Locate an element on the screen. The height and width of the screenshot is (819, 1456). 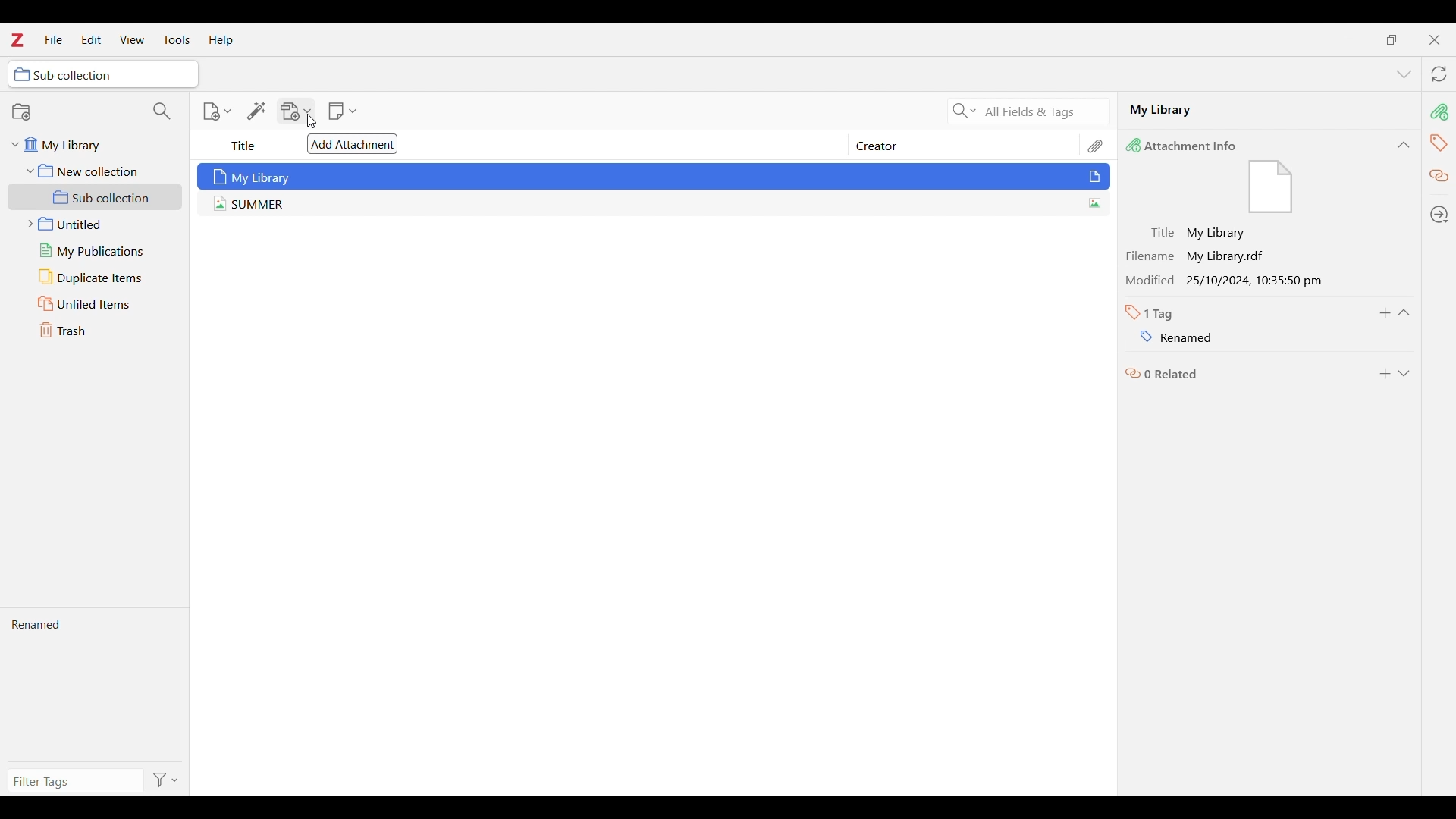
Untitled folder is located at coordinates (99, 224).